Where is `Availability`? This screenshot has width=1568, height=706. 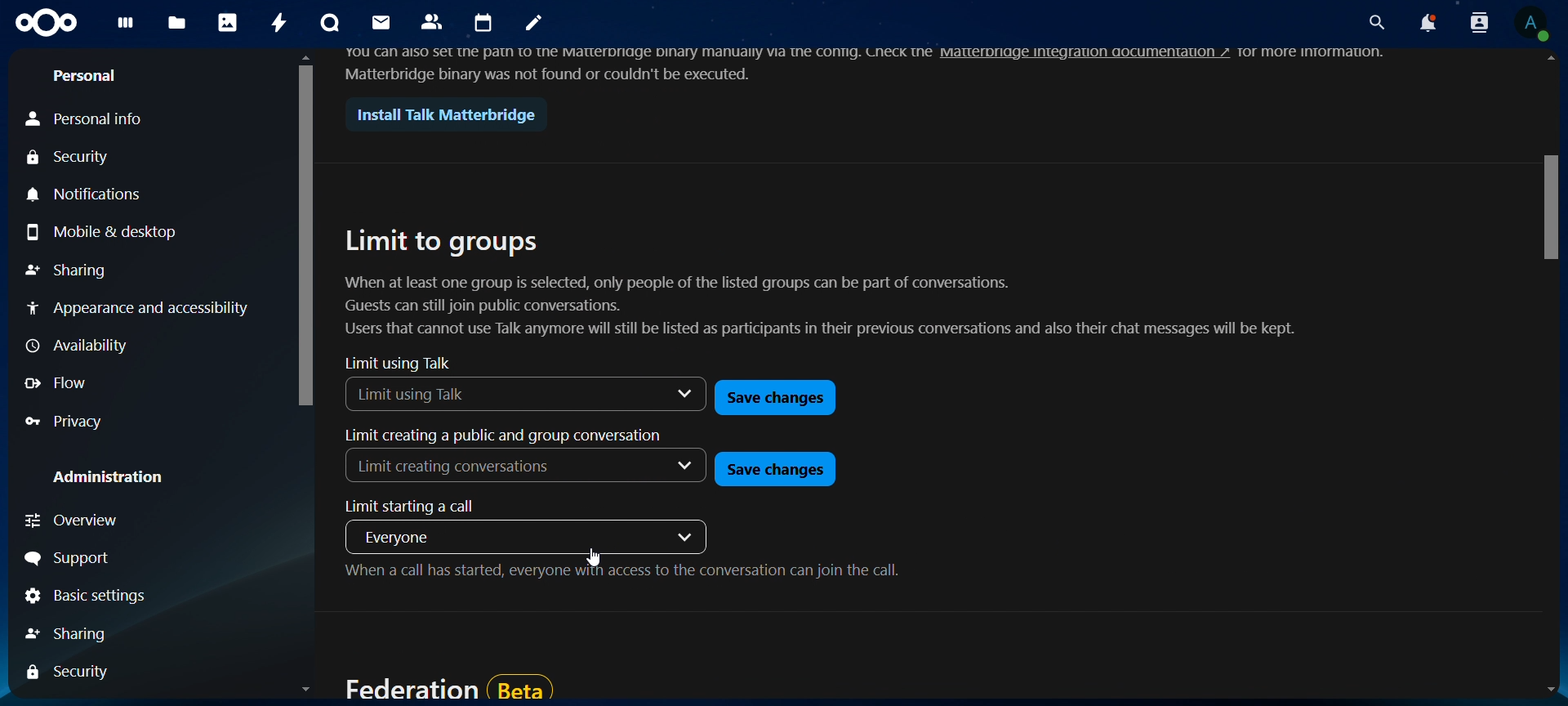
Availability is located at coordinates (76, 345).